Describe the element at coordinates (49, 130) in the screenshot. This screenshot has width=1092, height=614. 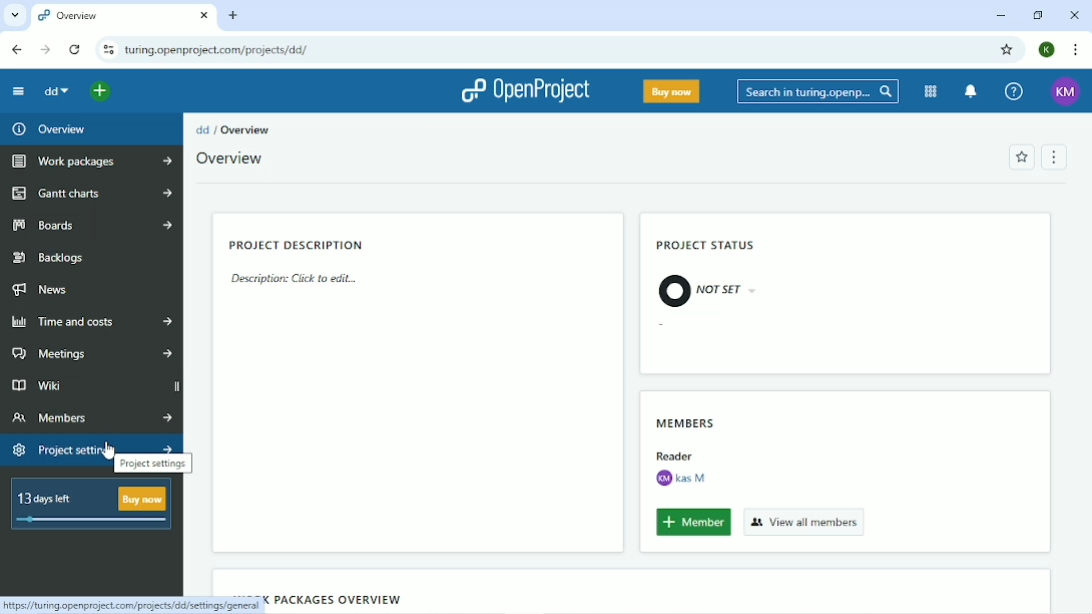
I see `Overview` at that location.